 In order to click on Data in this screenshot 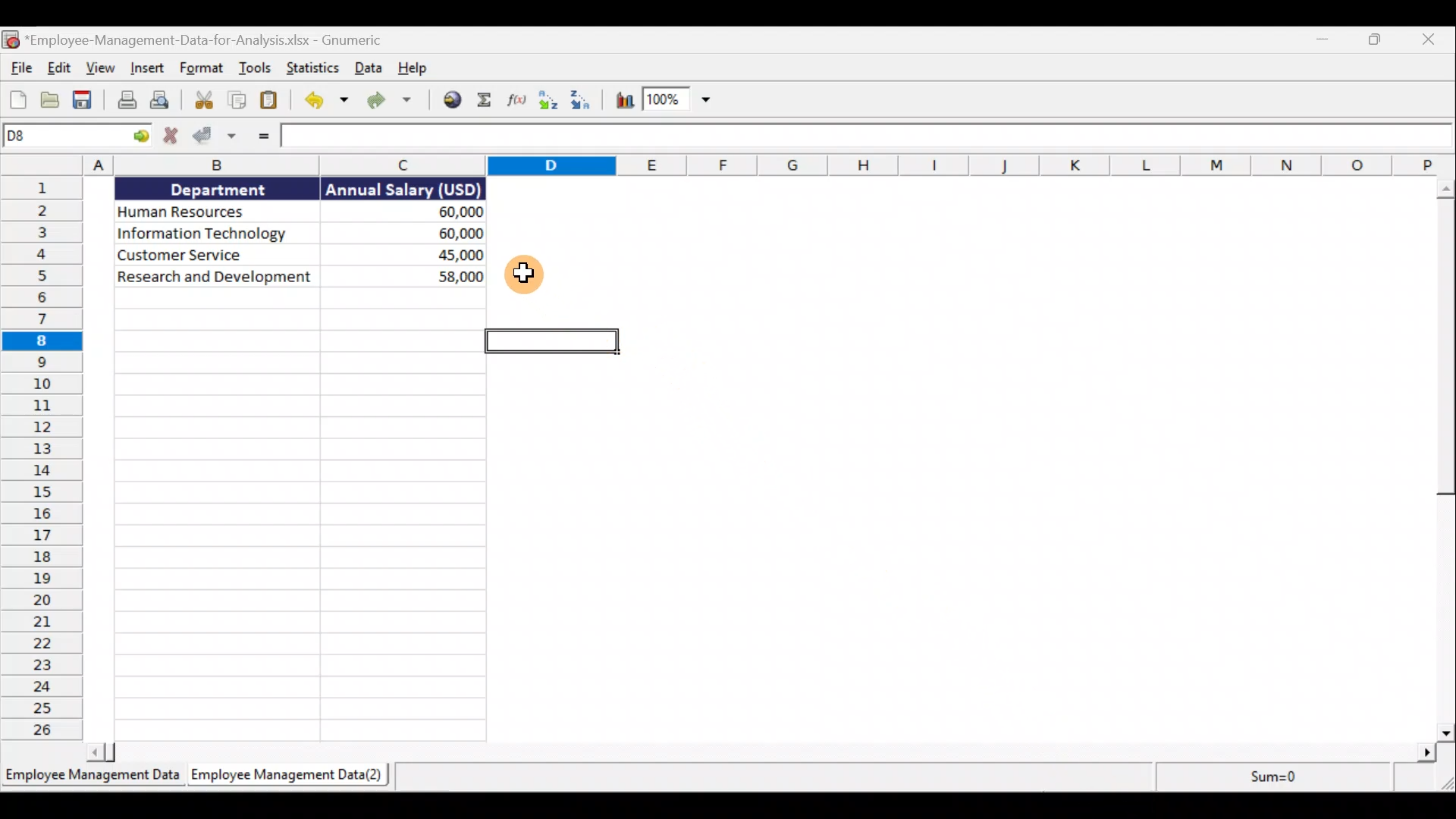, I will do `click(367, 69)`.